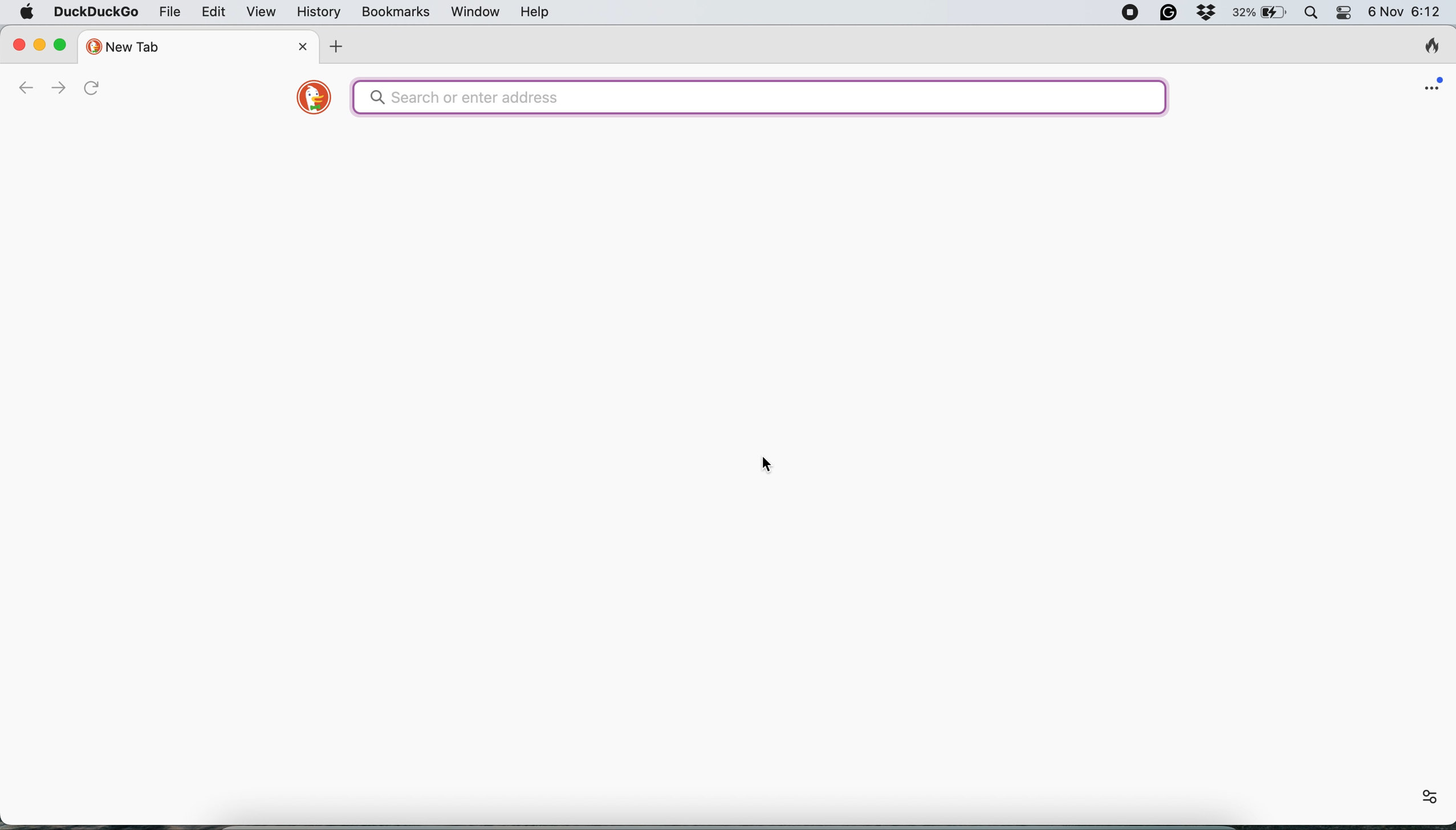  What do you see at coordinates (1344, 14) in the screenshot?
I see `control center` at bounding box center [1344, 14].